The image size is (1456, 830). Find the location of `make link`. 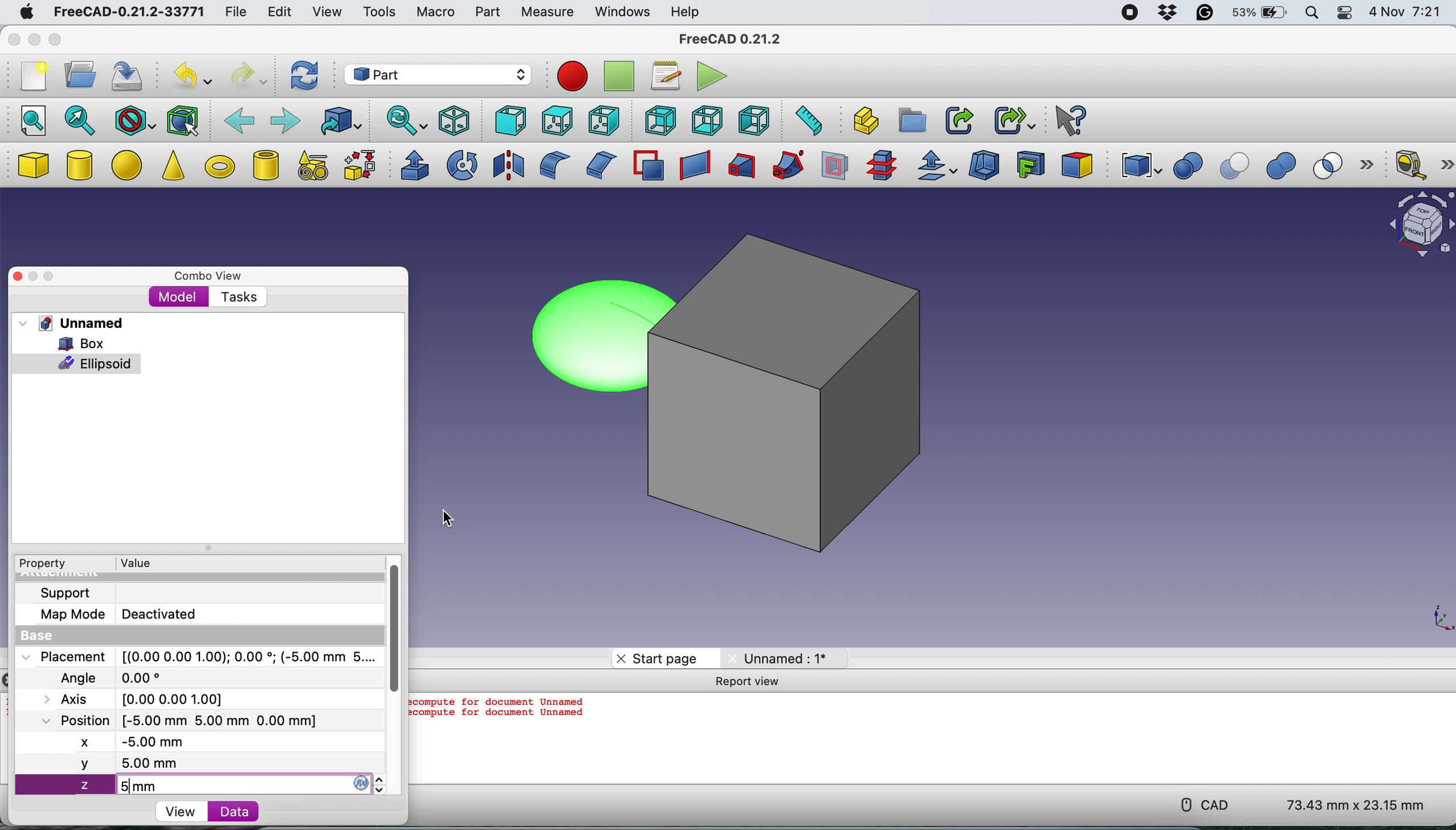

make link is located at coordinates (959, 120).